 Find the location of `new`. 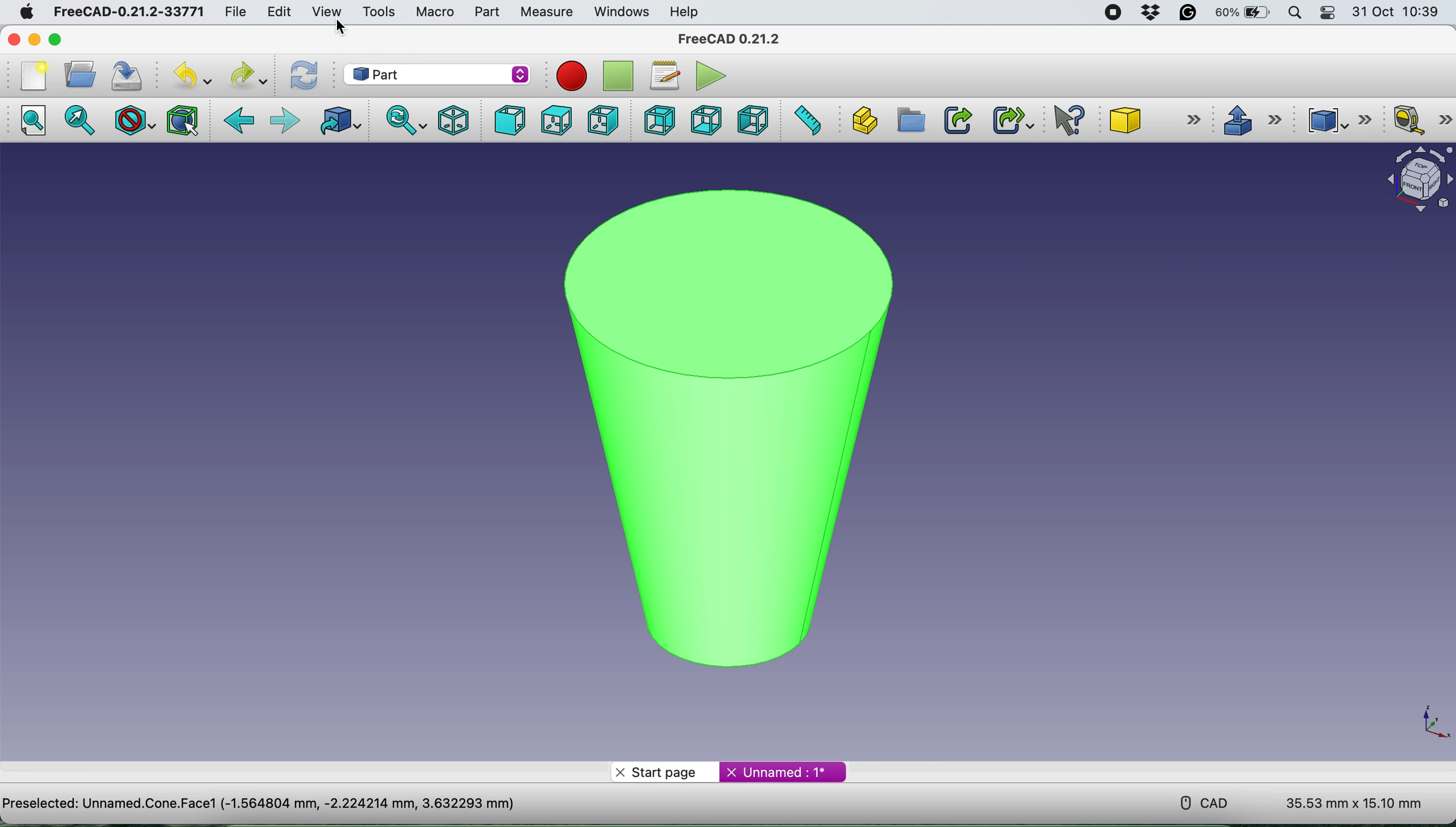

new is located at coordinates (30, 75).